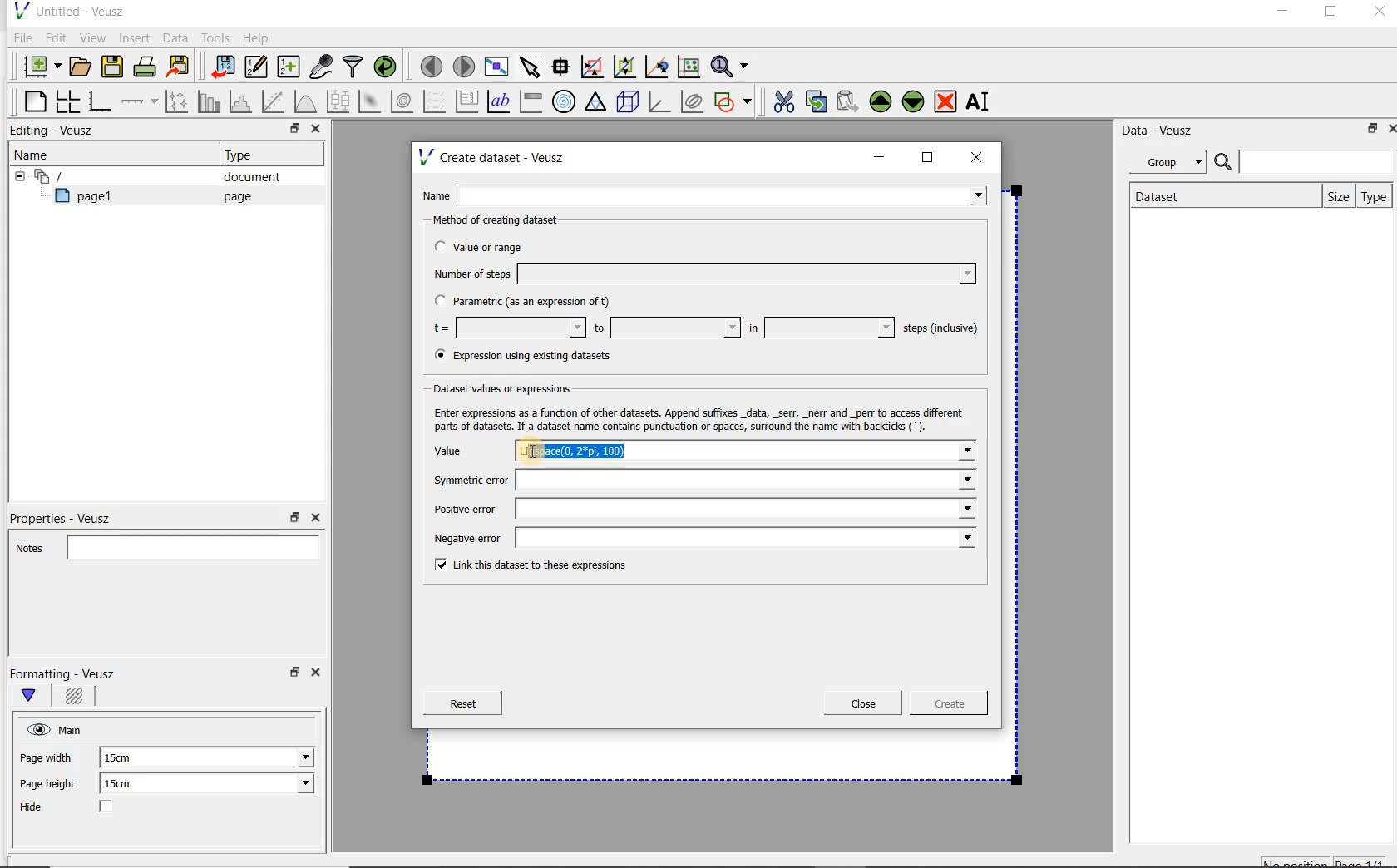 The image size is (1397, 868). What do you see at coordinates (289, 67) in the screenshot?
I see `create new datasets using ranges, parametrically or as functions of existing datasets` at bounding box center [289, 67].